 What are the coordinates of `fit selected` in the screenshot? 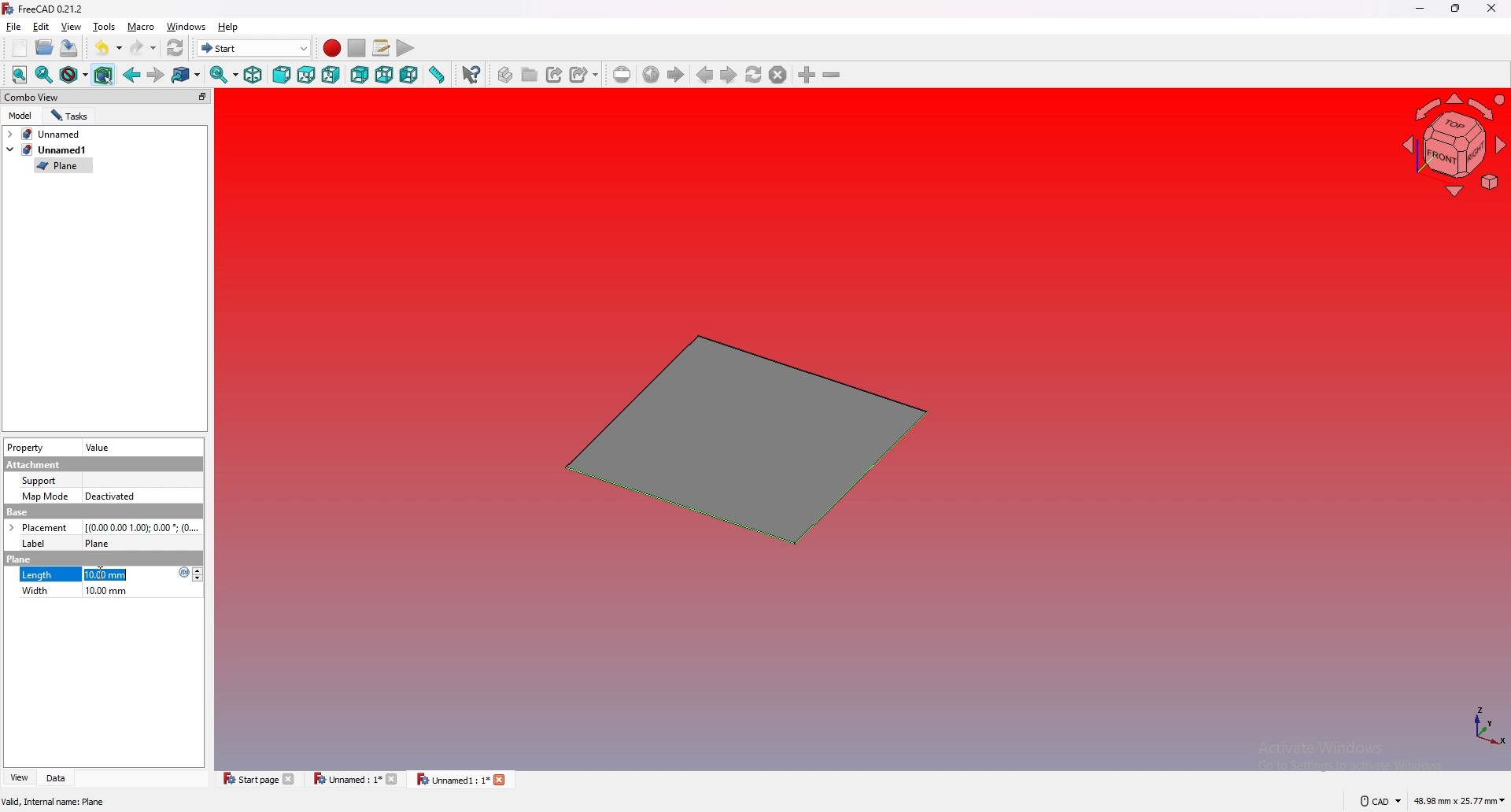 It's located at (44, 75).